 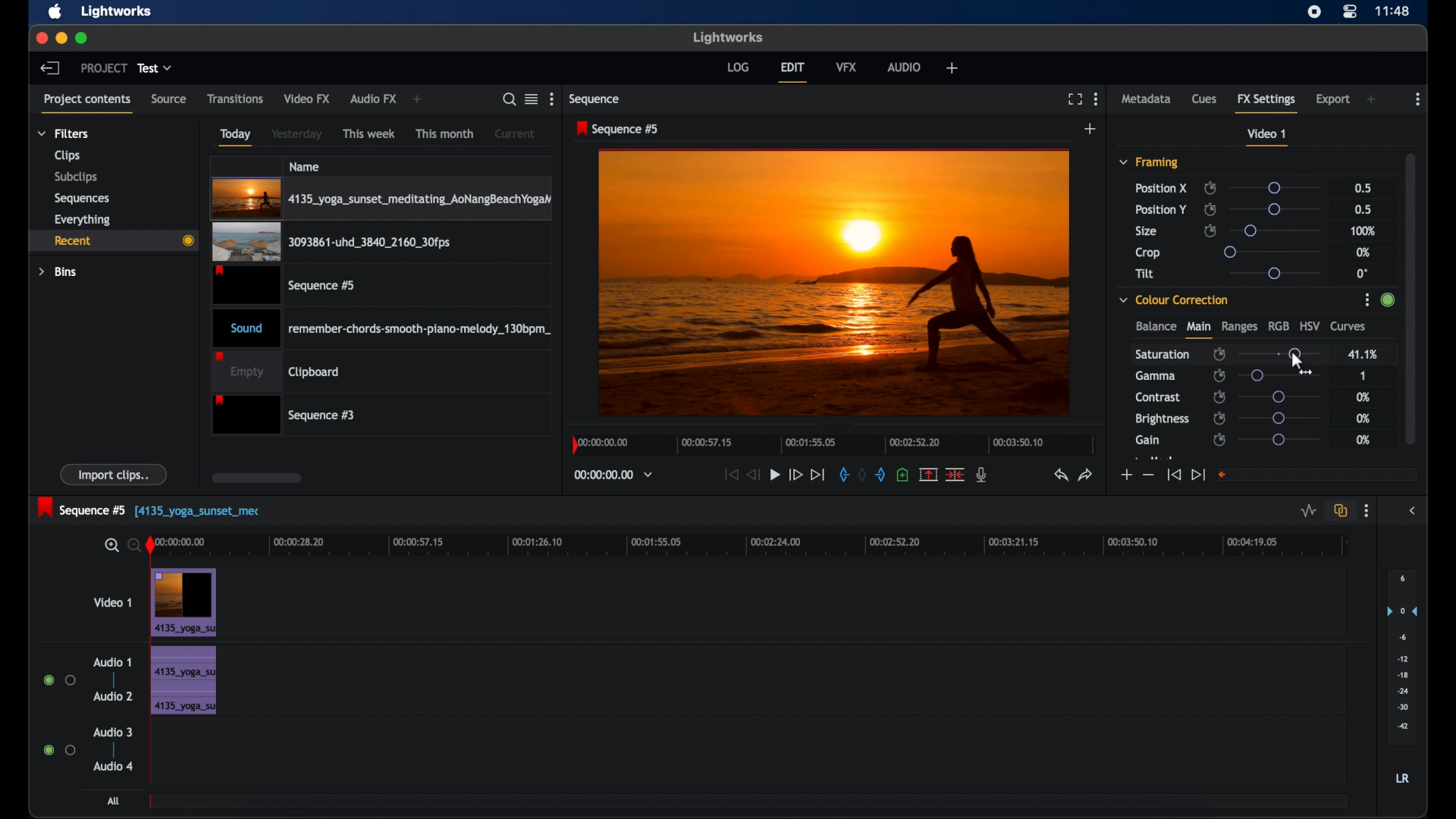 What do you see at coordinates (1315, 11) in the screenshot?
I see `screen recorder` at bounding box center [1315, 11].